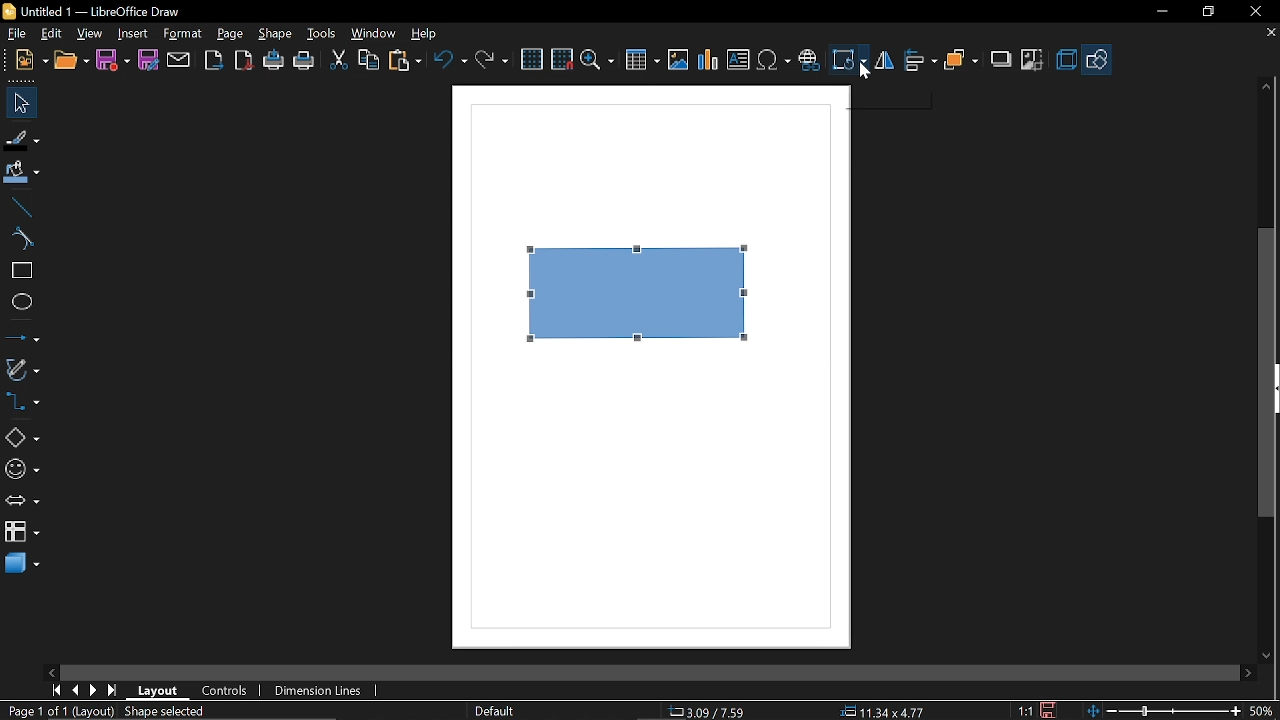 The height and width of the screenshot is (720, 1280). What do you see at coordinates (676, 61) in the screenshot?
I see `Insert Image` at bounding box center [676, 61].